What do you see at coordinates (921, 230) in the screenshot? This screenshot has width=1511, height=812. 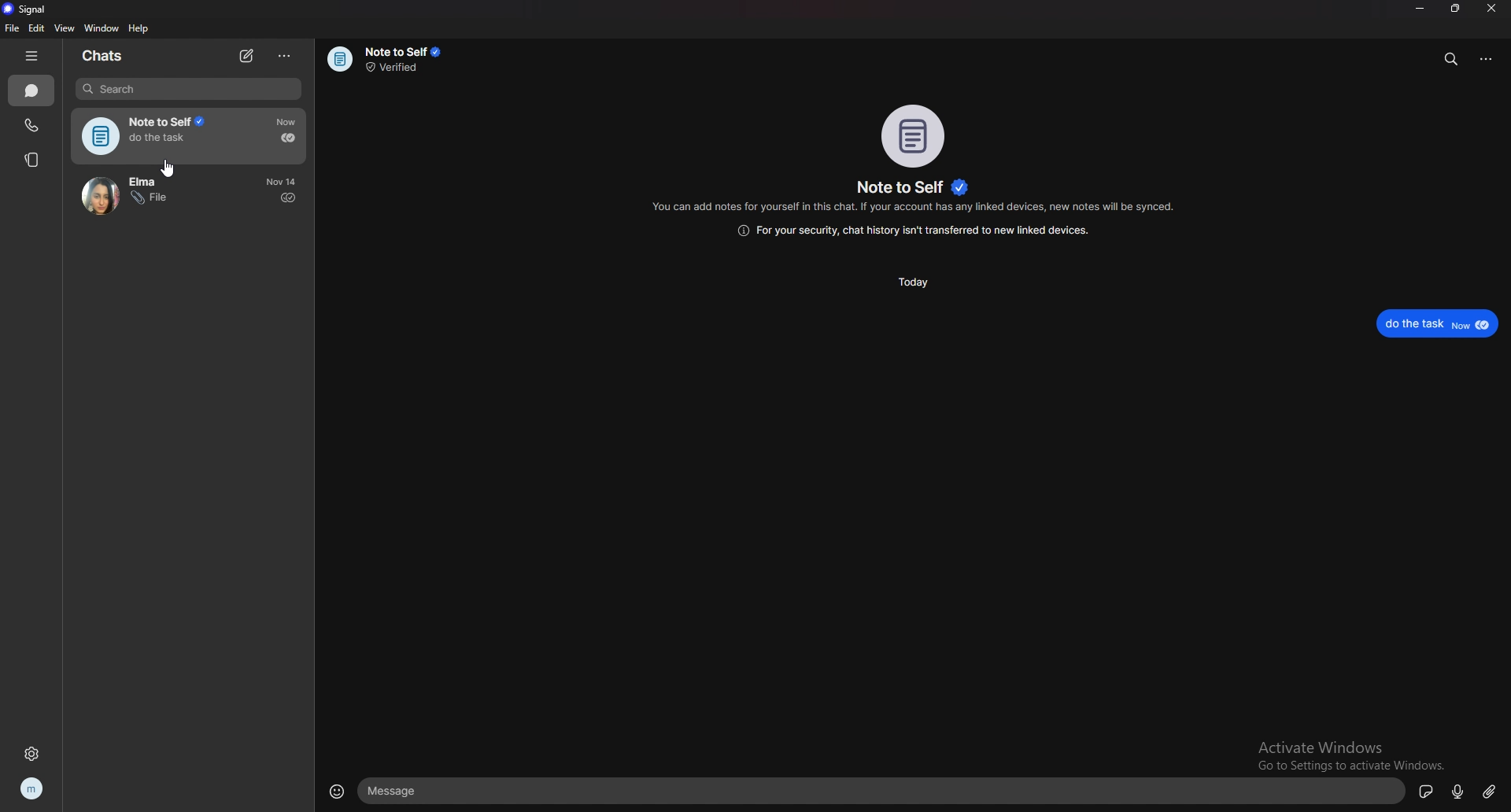 I see `info` at bounding box center [921, 230].